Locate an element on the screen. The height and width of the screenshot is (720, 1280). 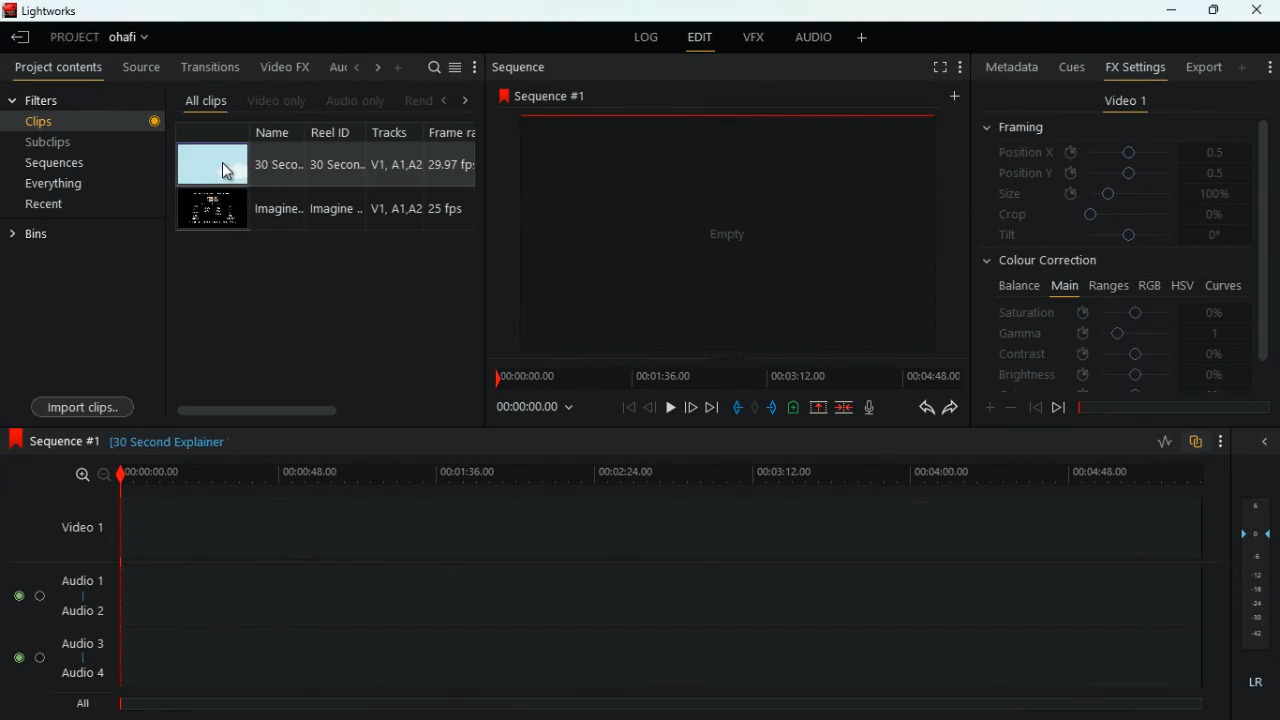
Timeline is located at coordinates (663, 705).